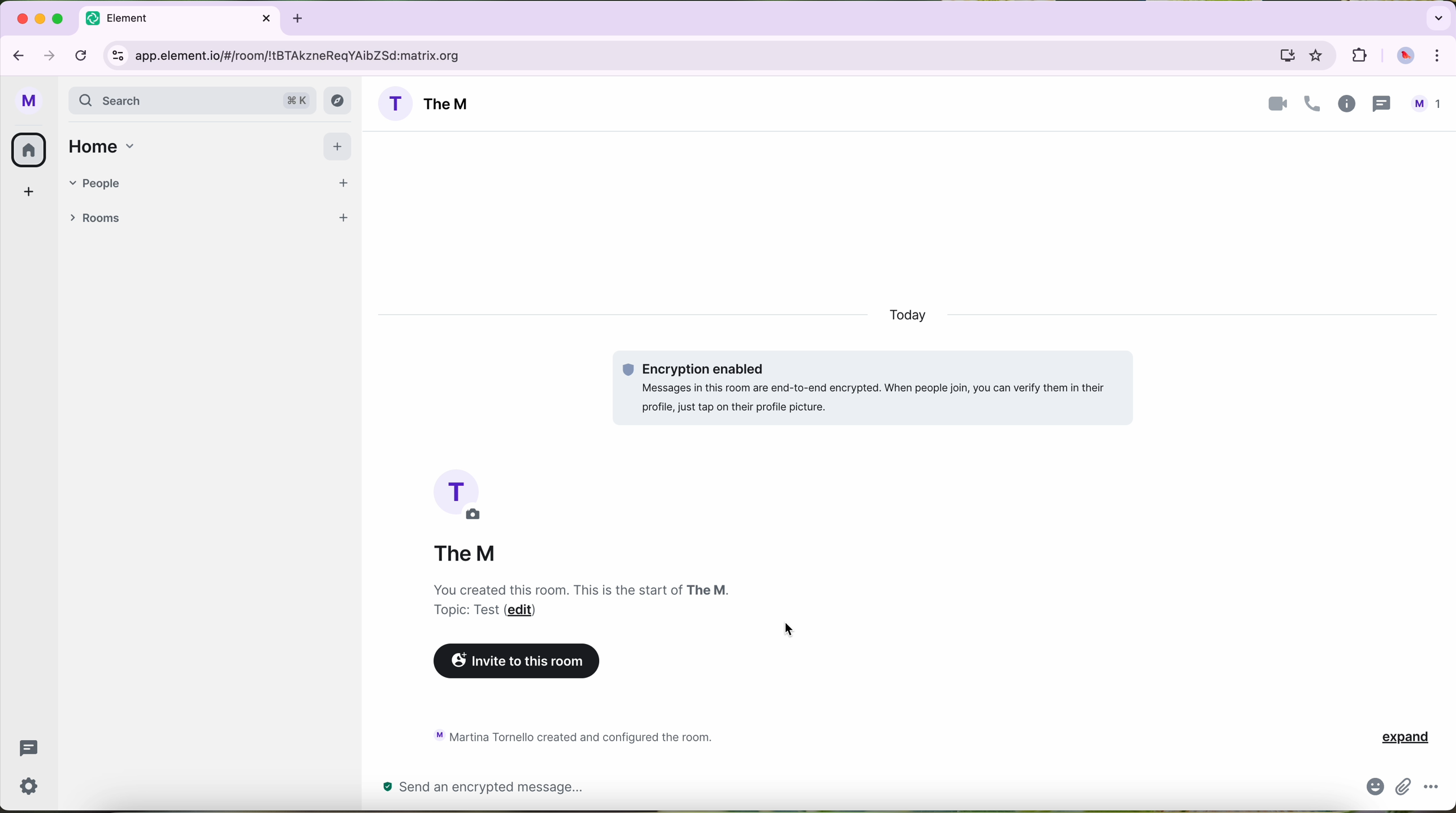 This screenshot has width=1456, height=813. I want to click on navigate foward, so click(50, 55).